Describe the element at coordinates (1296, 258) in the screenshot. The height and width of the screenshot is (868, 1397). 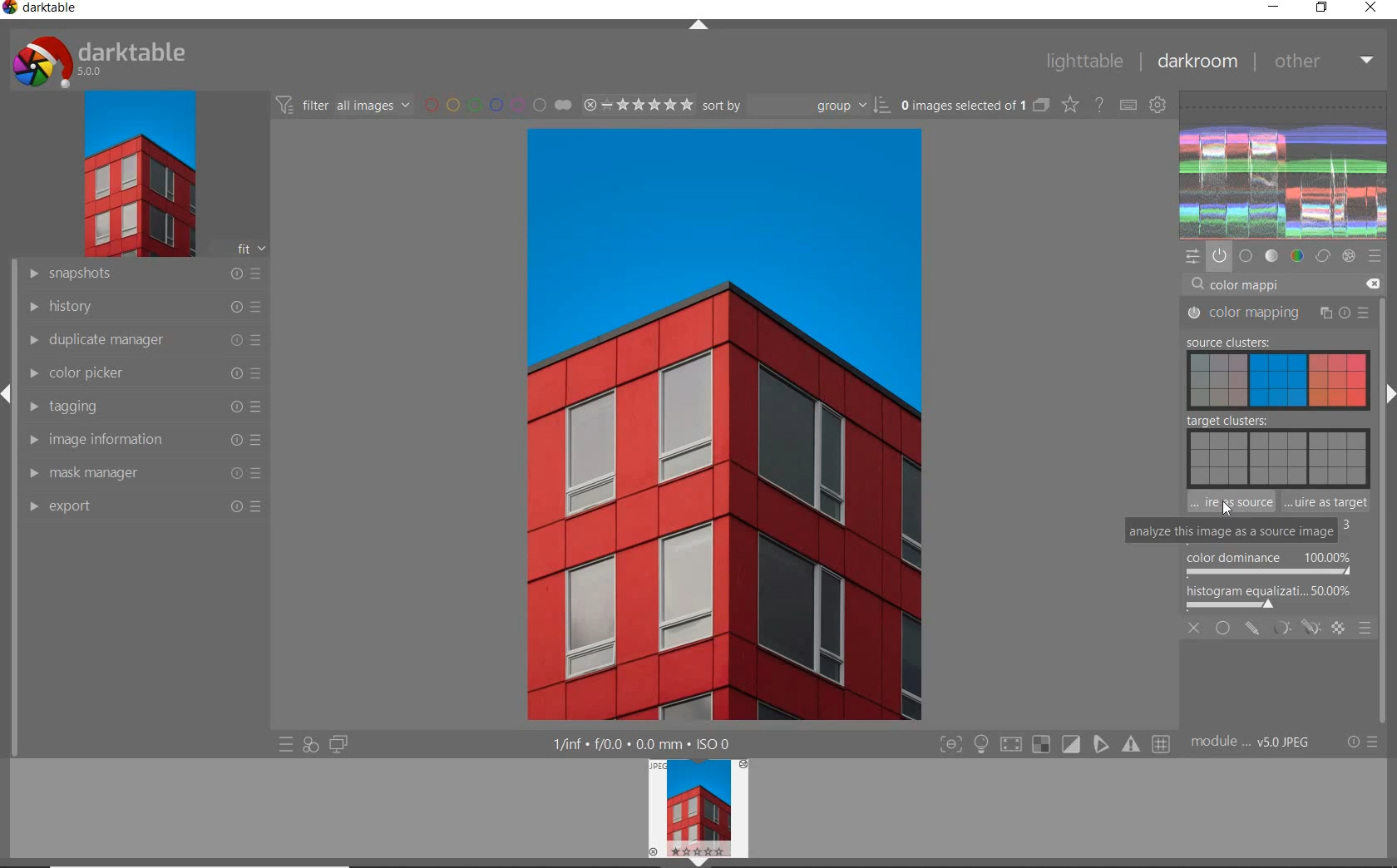
I see `color` at that location.